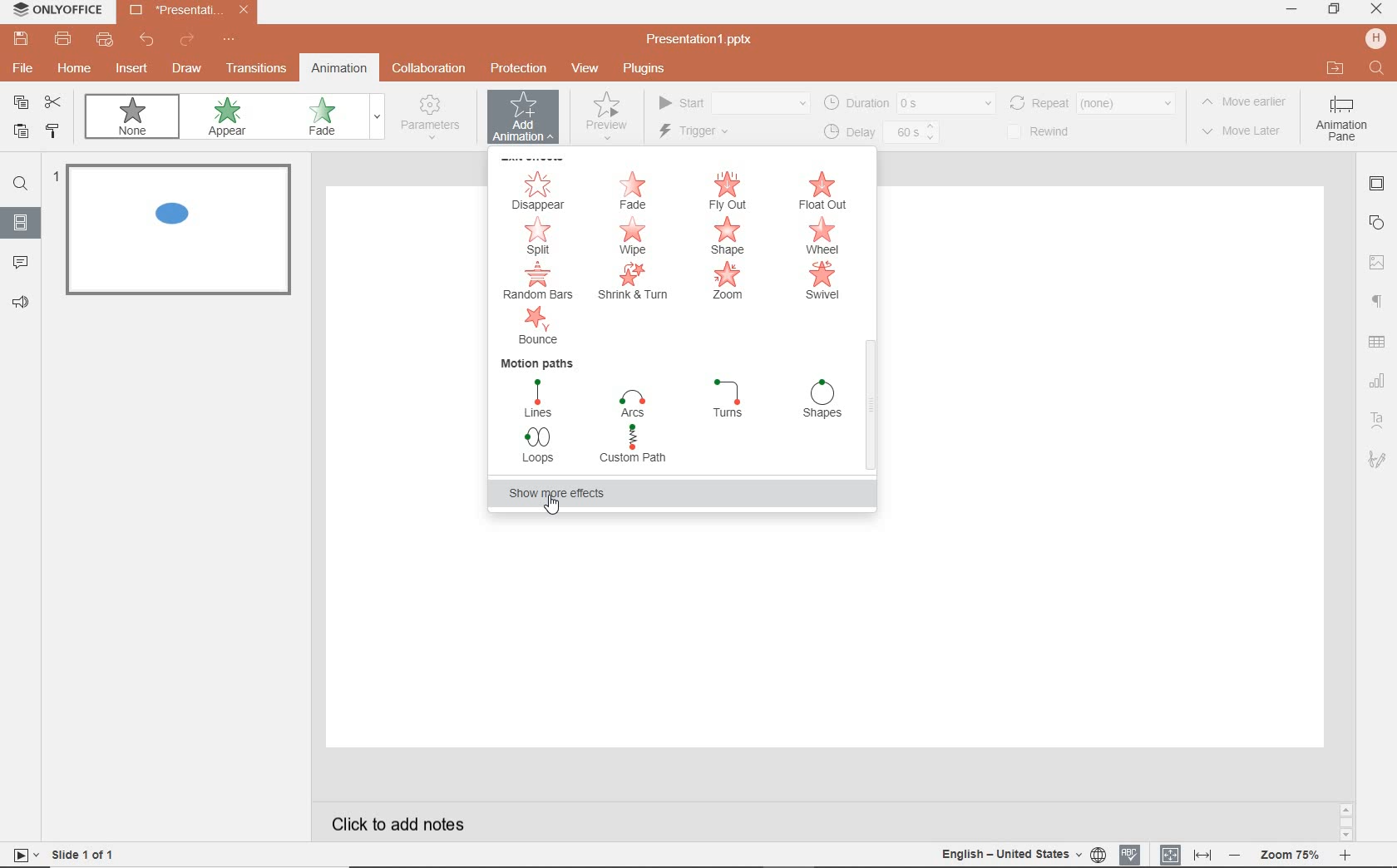 The height and width of the screenshot is (868, 1397). Describe the element at coordinates (822, 282) in the screenshot. I see `SWIVEL` at that location.